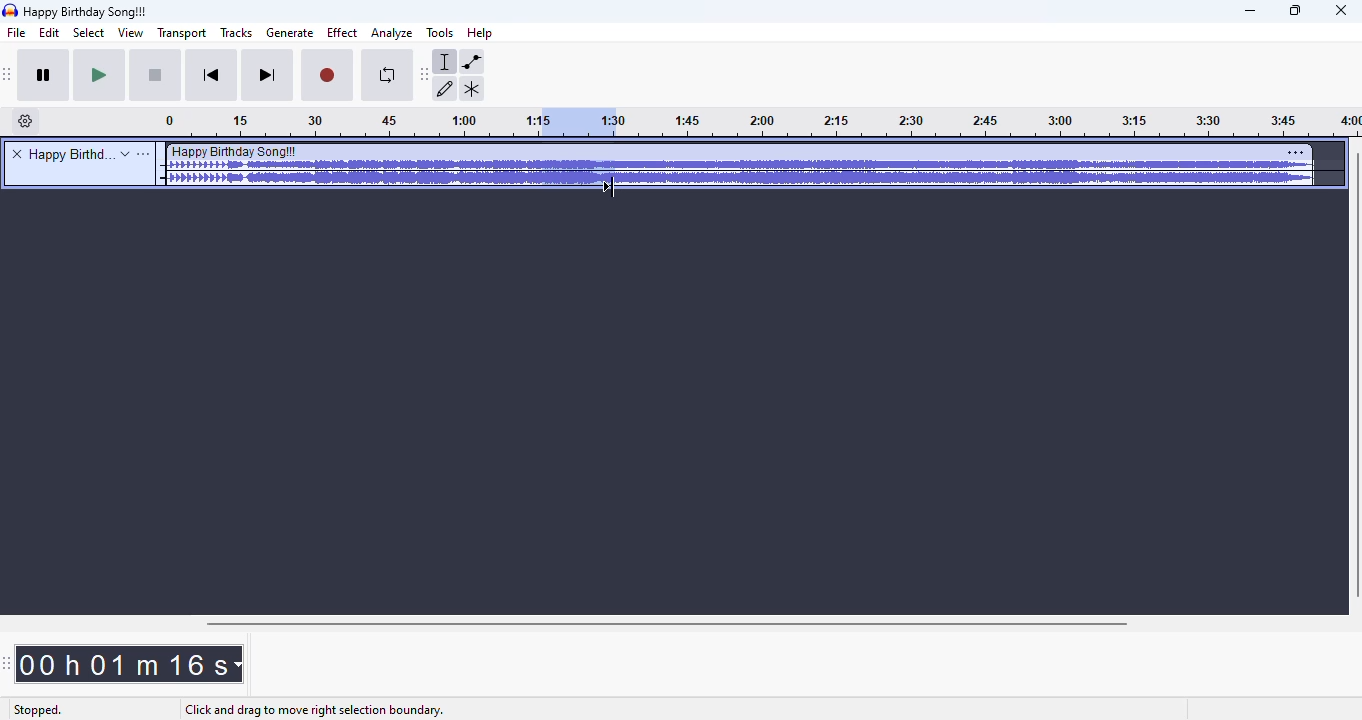  I want to click on audio track, so click(738, 165).